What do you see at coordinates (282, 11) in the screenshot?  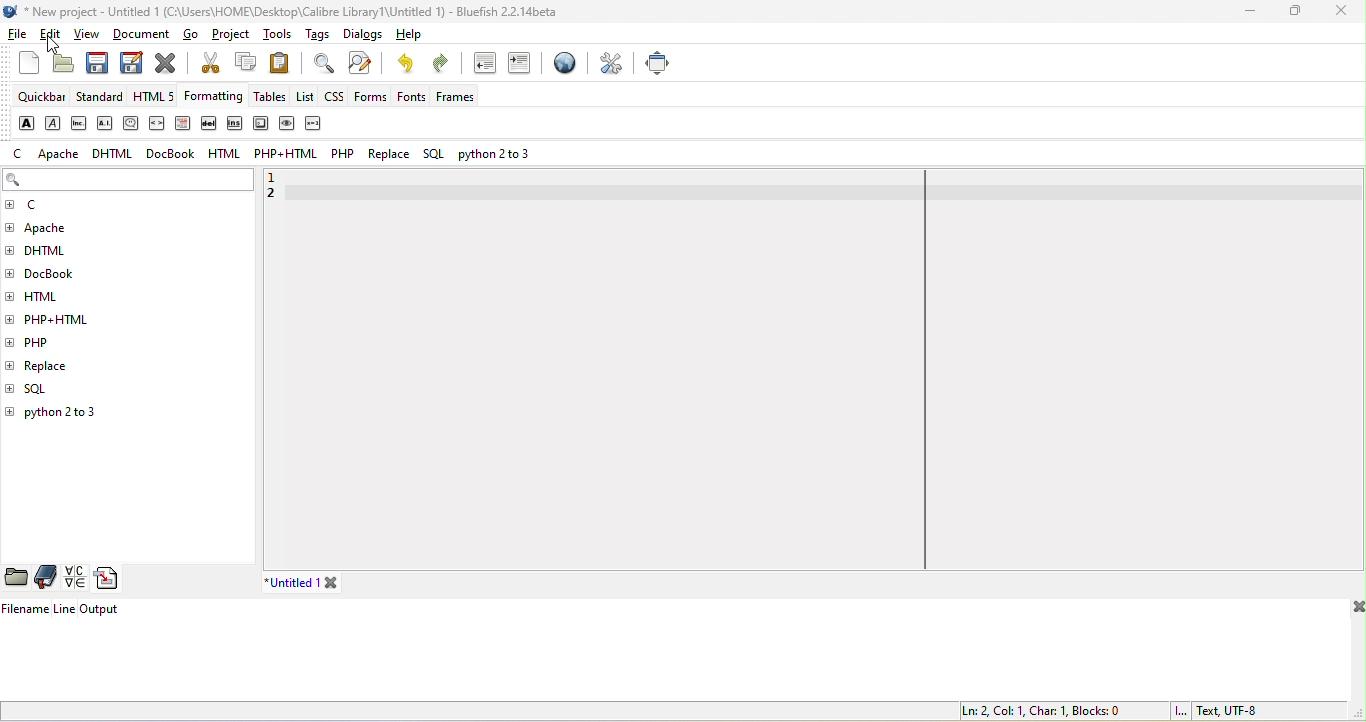 I see `title` at bounding box center [282, 11].